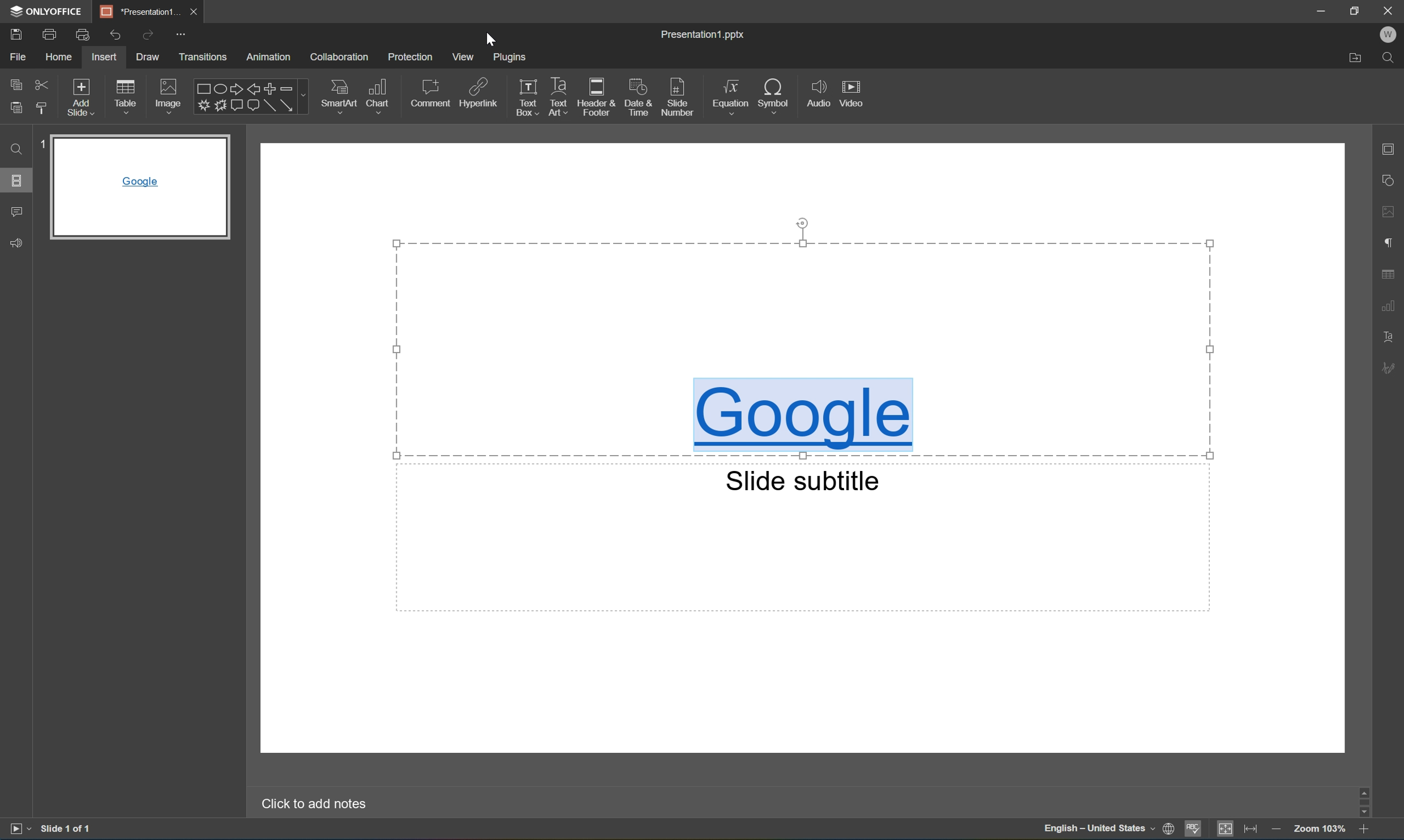  Describe the element at coordinates (1357, 10) in the screenshot. I see `Restore down` at that location.